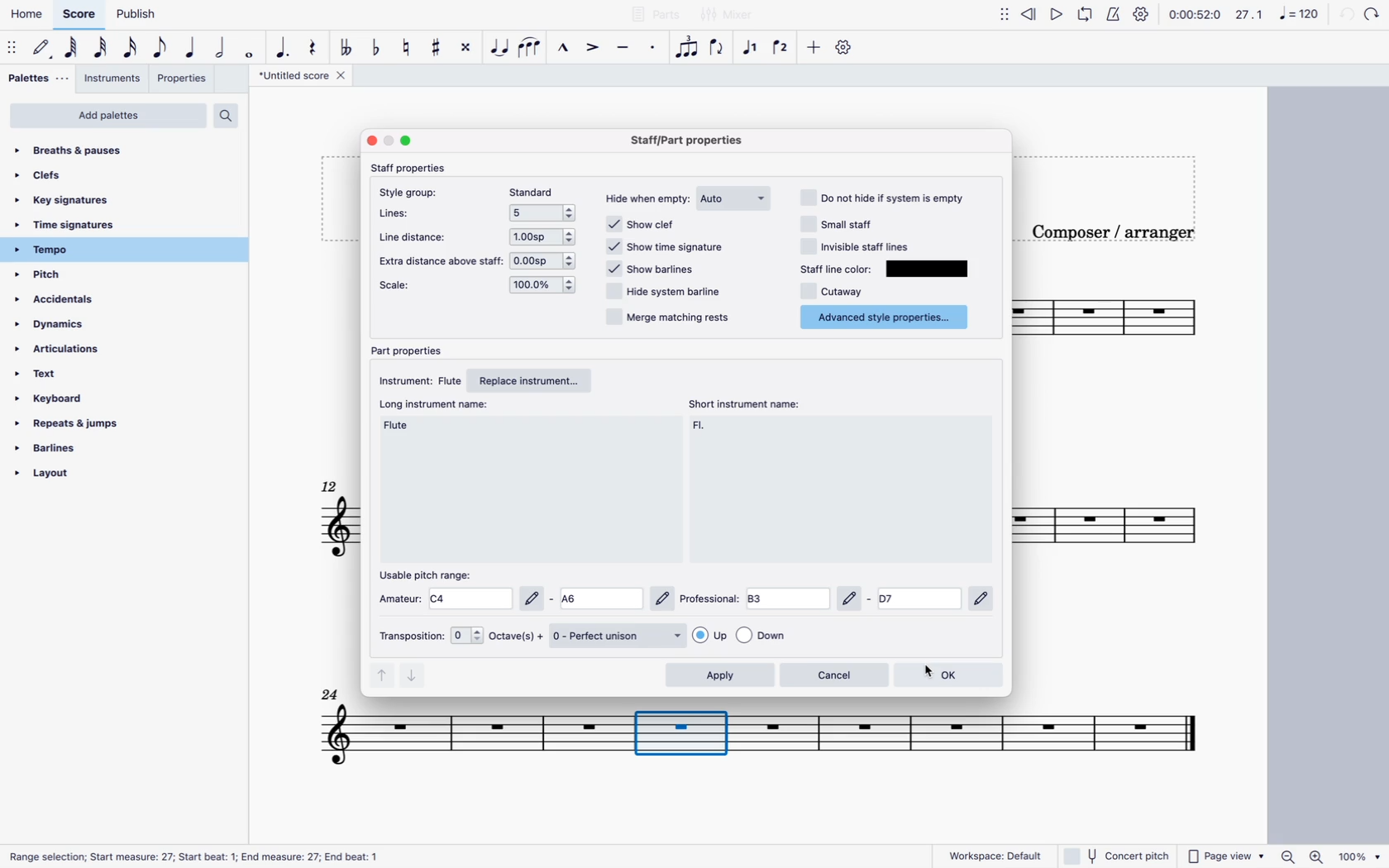  Describe the element at coordinates (131, 48) in the screenshot. I see `16th note` at that location.